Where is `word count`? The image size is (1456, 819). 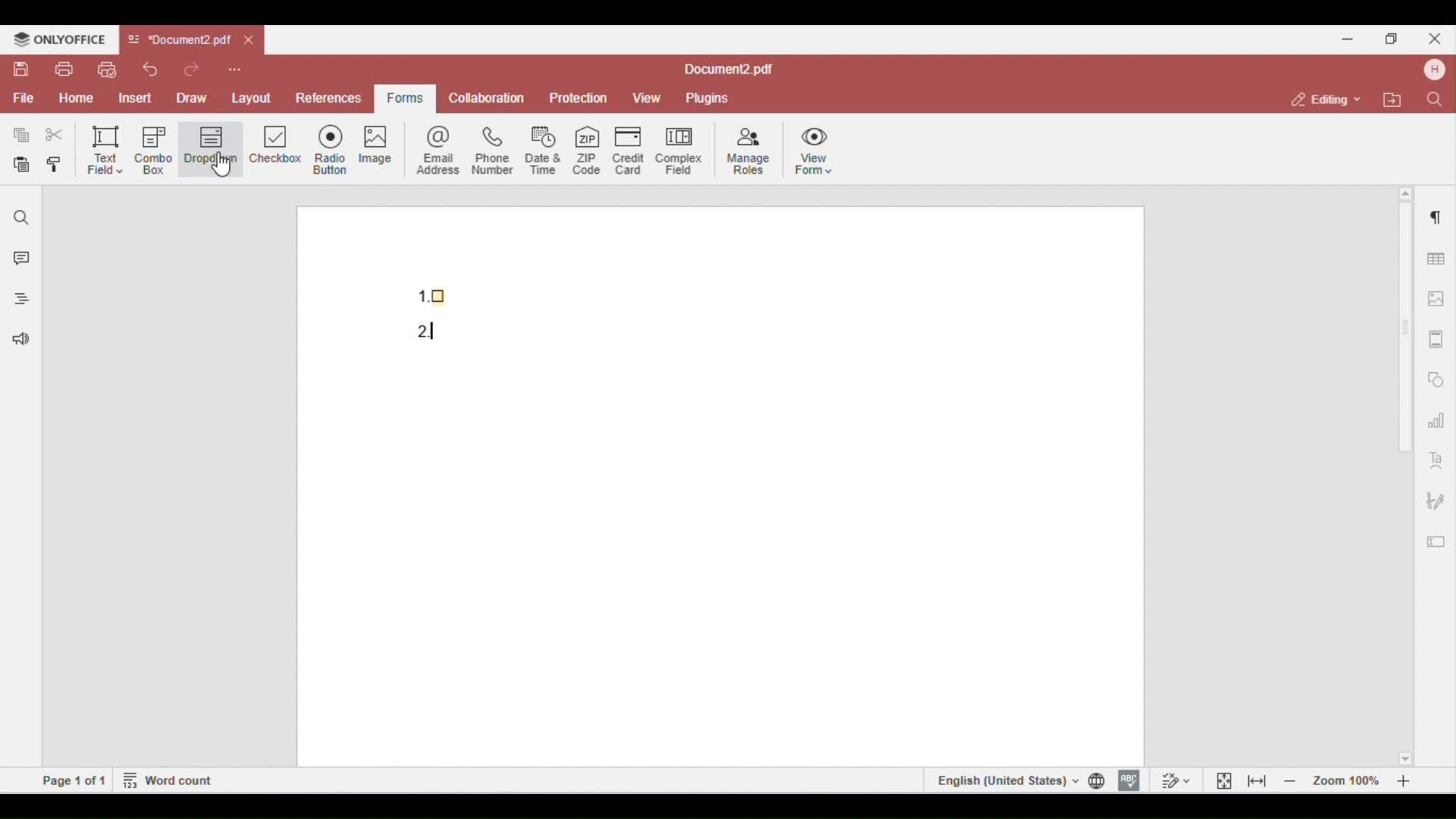
word count is located at coordinates (169, 779).